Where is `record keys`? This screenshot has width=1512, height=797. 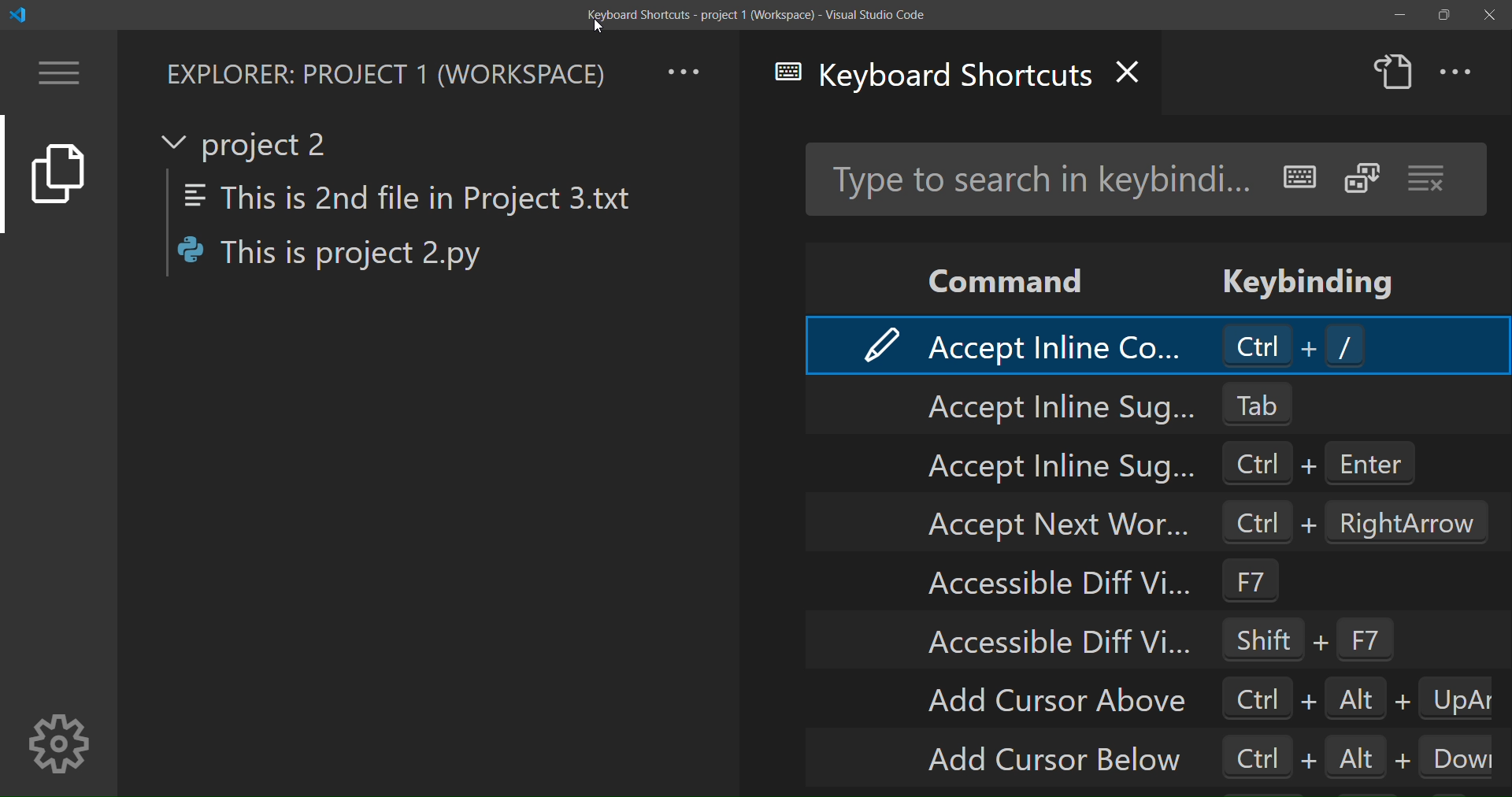 record keys is located at coordinates (1301, 172).